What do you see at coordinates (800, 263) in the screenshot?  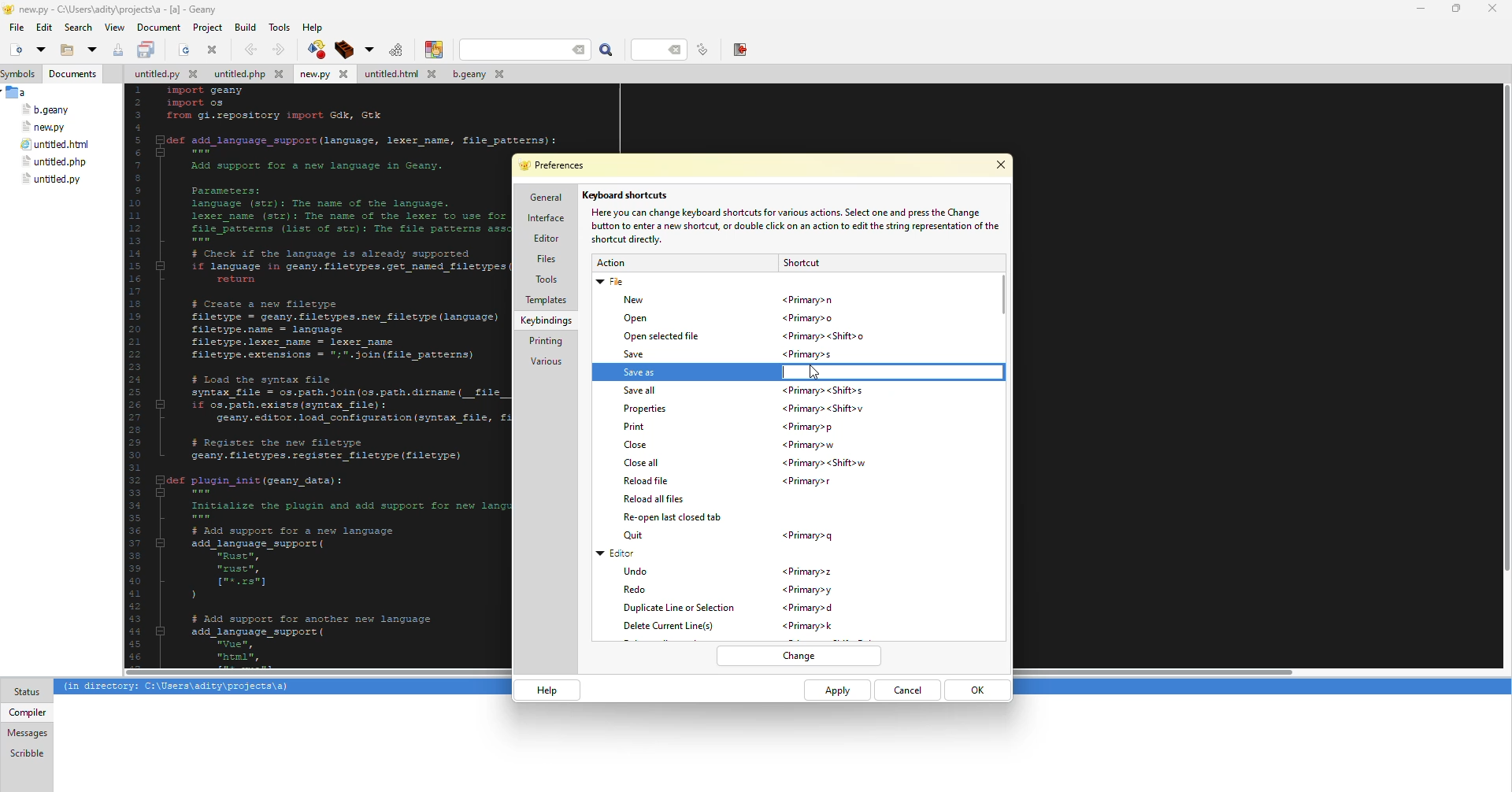 I see `shortcut` at bounding box center [800, 263].